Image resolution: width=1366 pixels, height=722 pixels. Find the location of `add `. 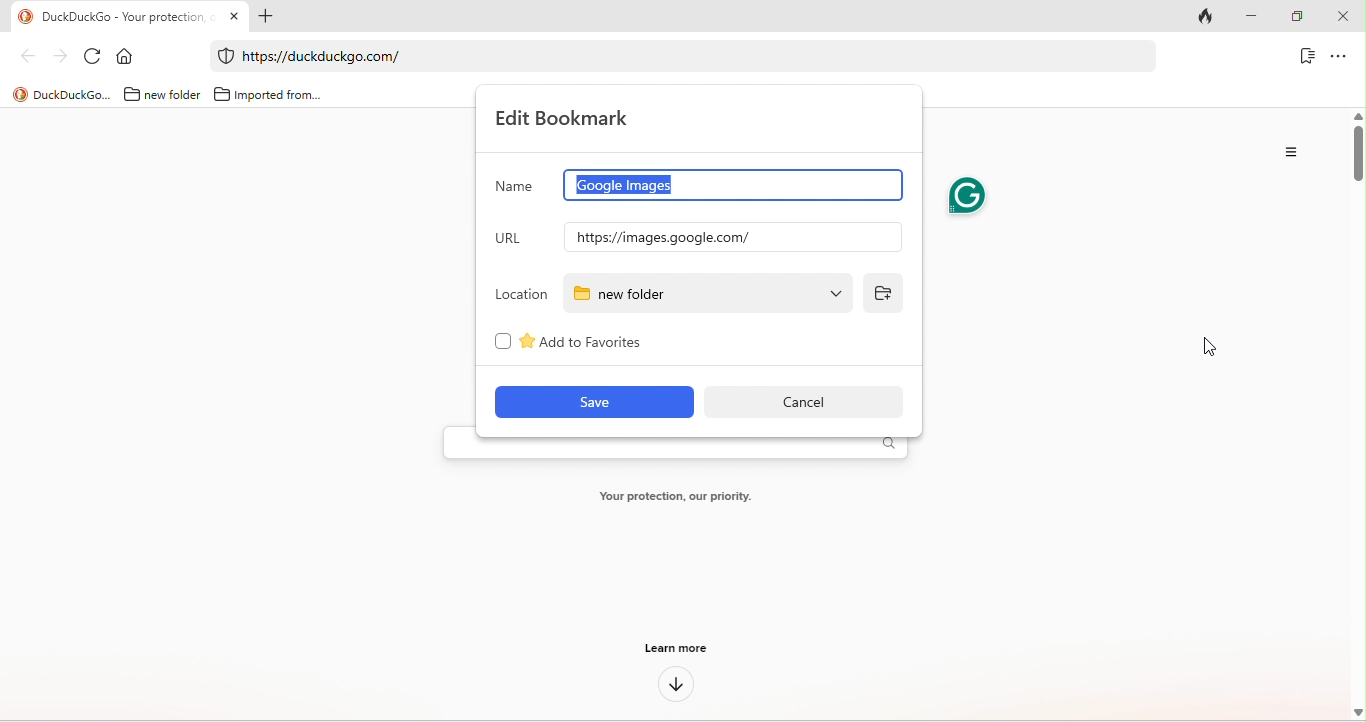

add  is located at coordinates (271, 17).